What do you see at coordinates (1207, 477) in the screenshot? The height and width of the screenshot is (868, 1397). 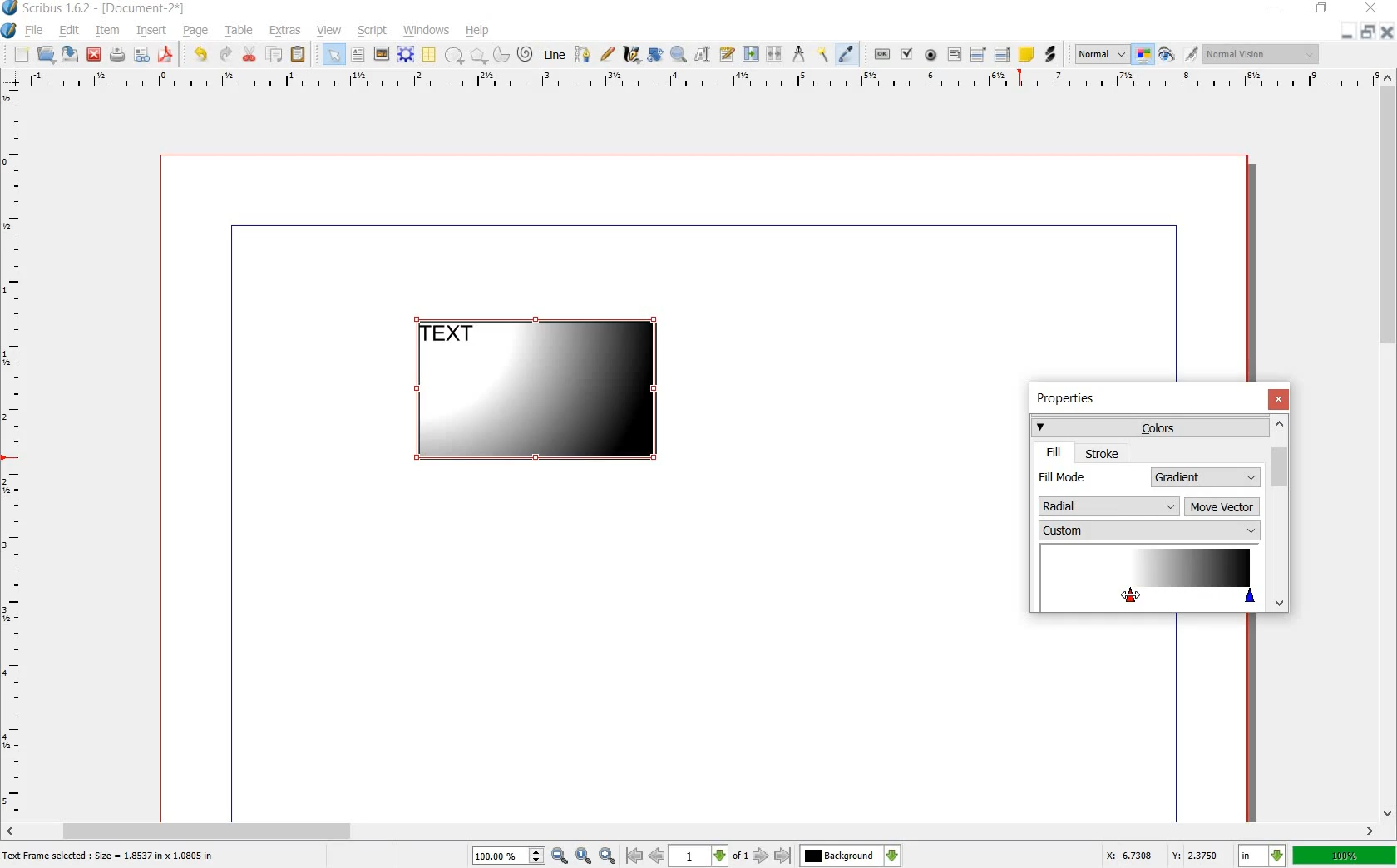 I see `gradient` at bounding box center [1207, 477].